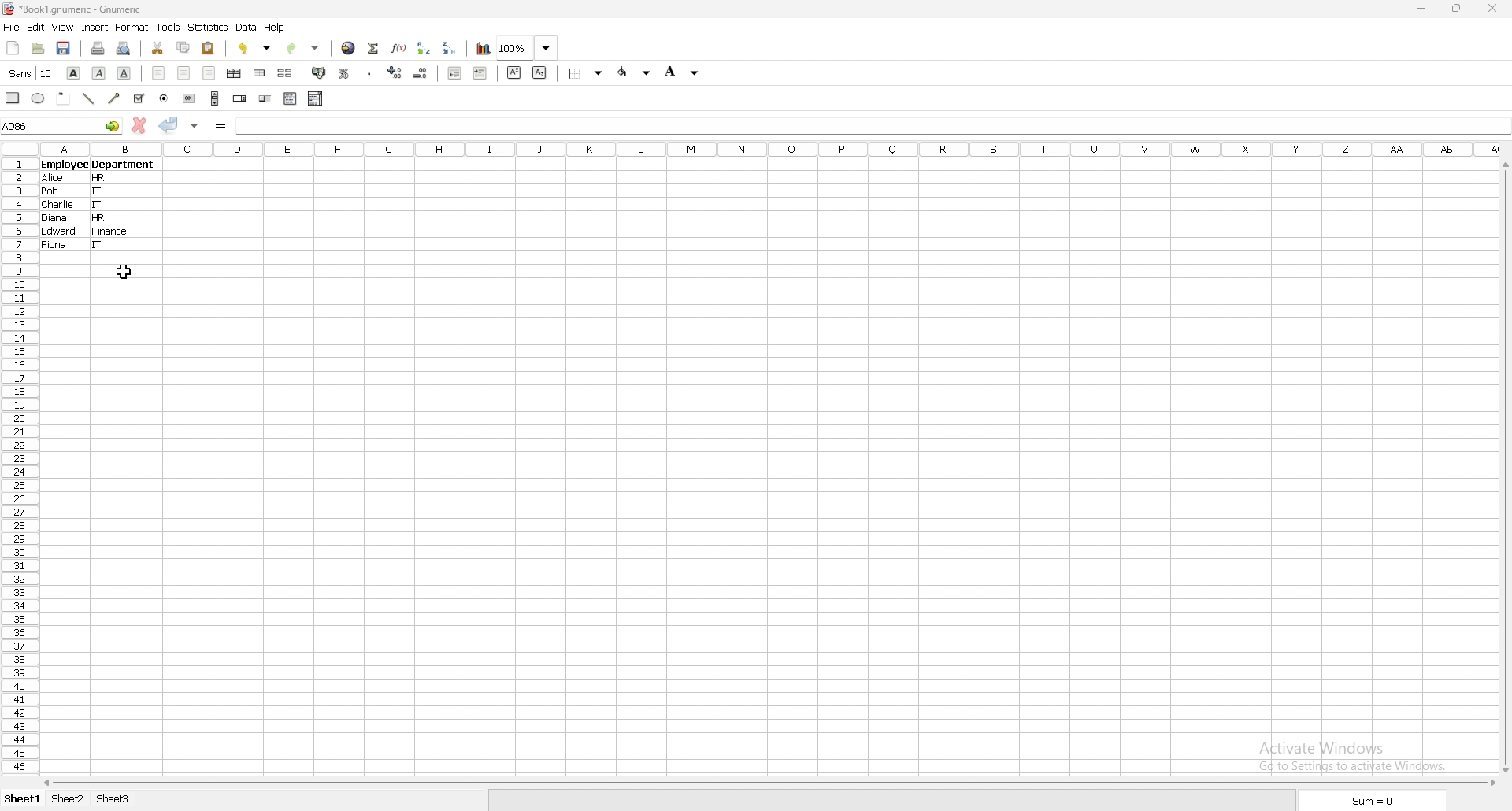 This screenshot has height=811, width=1512. What do you see at coordinates (183, 47) in the screenshot?
I see `copy` at bounding box center [183, 47].